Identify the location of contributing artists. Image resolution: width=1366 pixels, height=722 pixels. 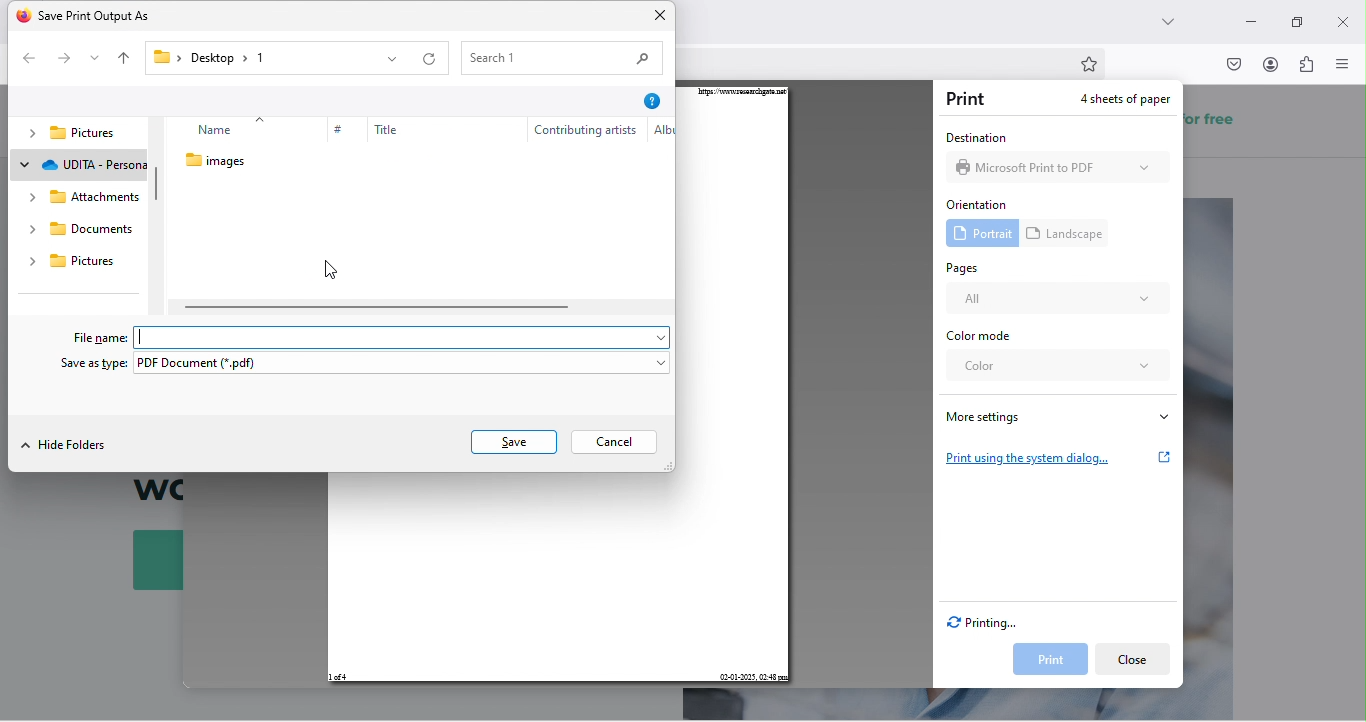
(584, 133).